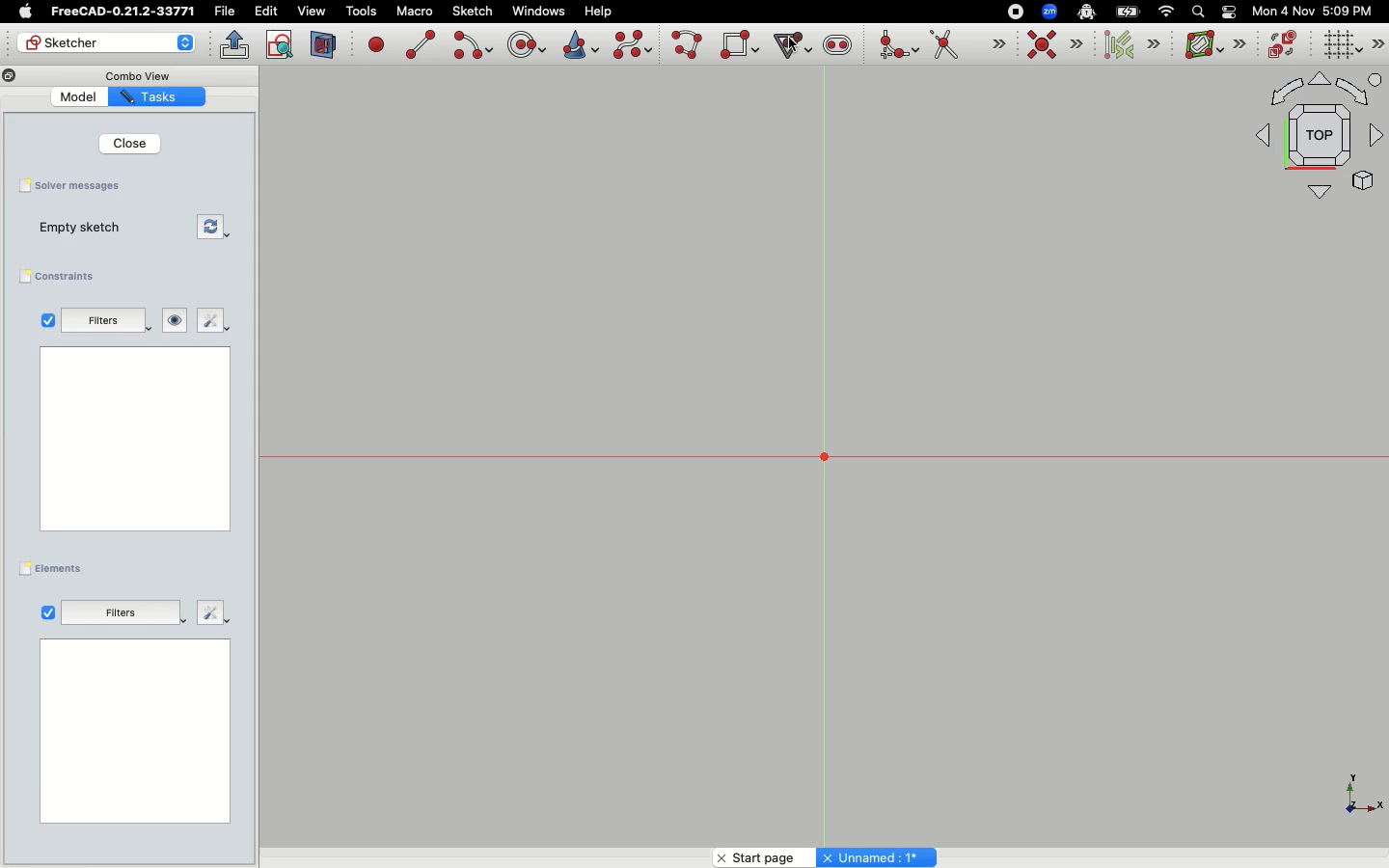 The width and height of the screenshot is (1389, 868). I want to click on Zoom, so click(1050, 12).